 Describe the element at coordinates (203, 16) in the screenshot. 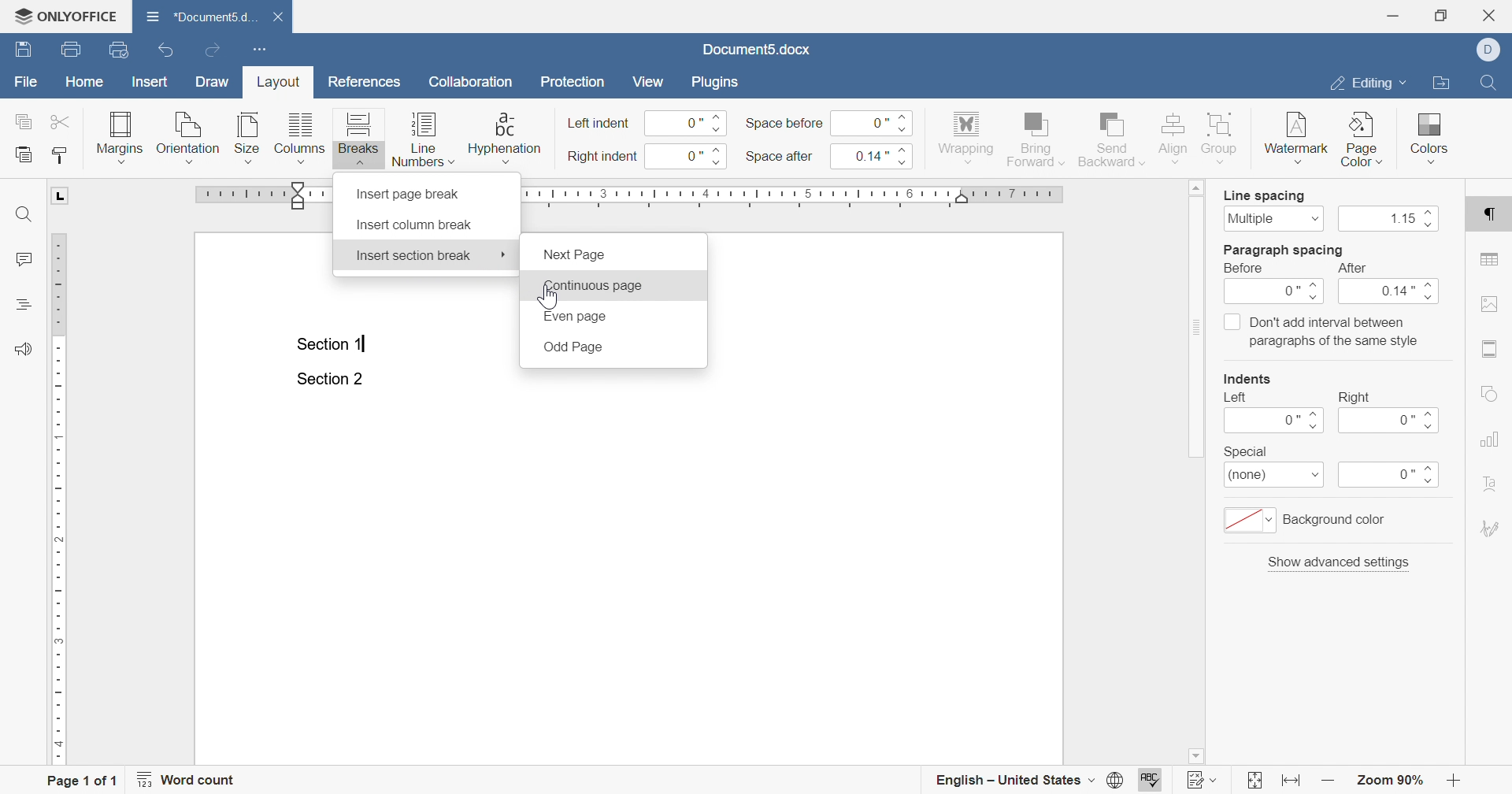

I see `document5.d` at that location.